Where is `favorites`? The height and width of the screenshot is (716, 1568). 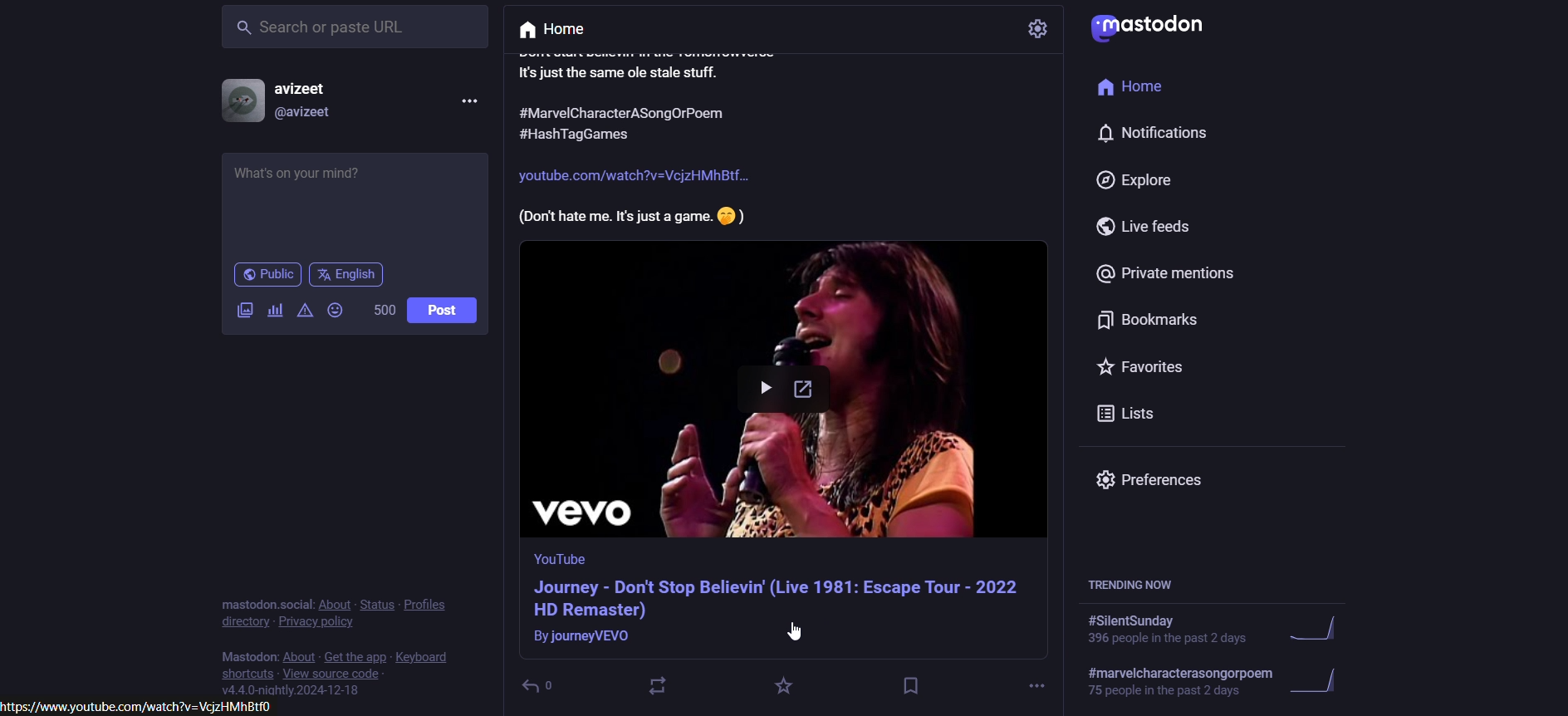 favorites is located at coordinates (782, 686).